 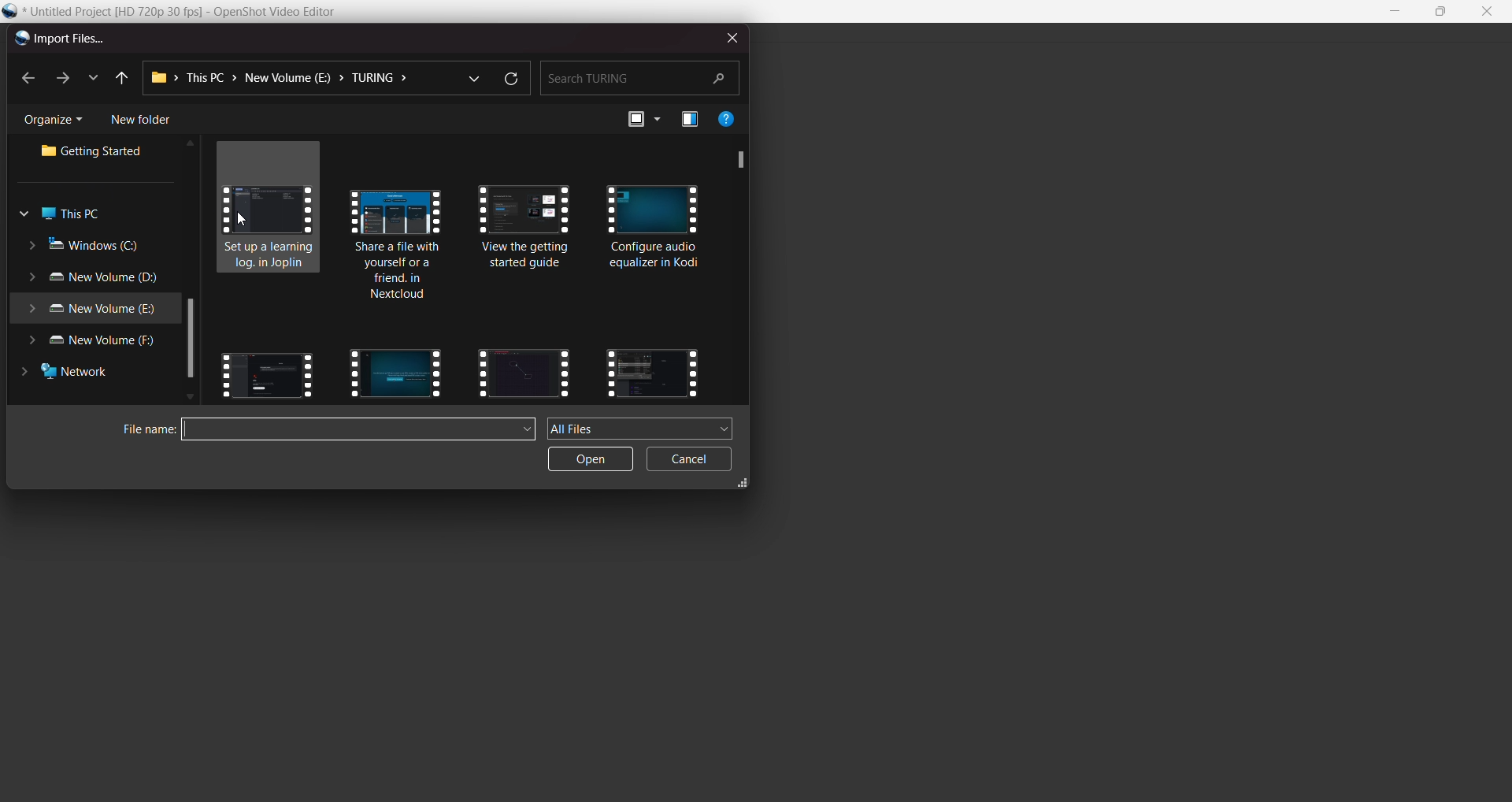 I want to click on videos, so click(x=524, y=370).